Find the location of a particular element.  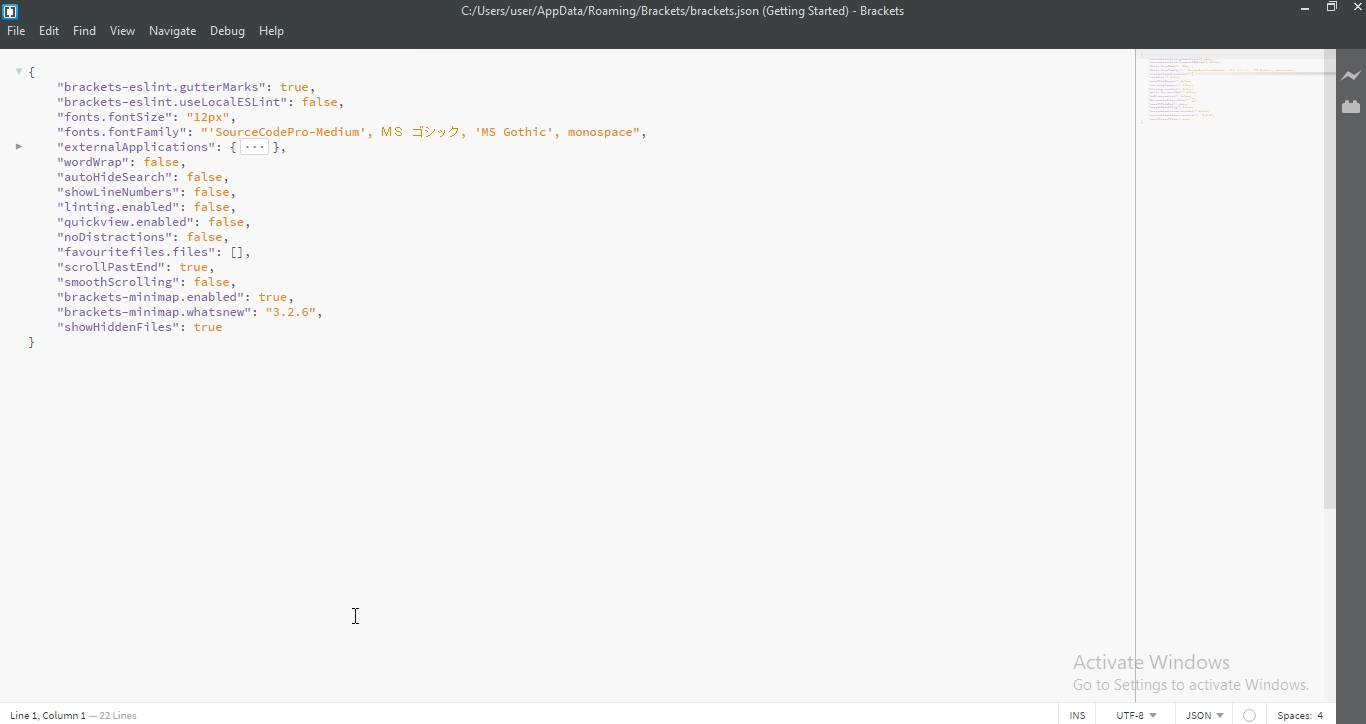

json is located at coordinates (1207, 713).